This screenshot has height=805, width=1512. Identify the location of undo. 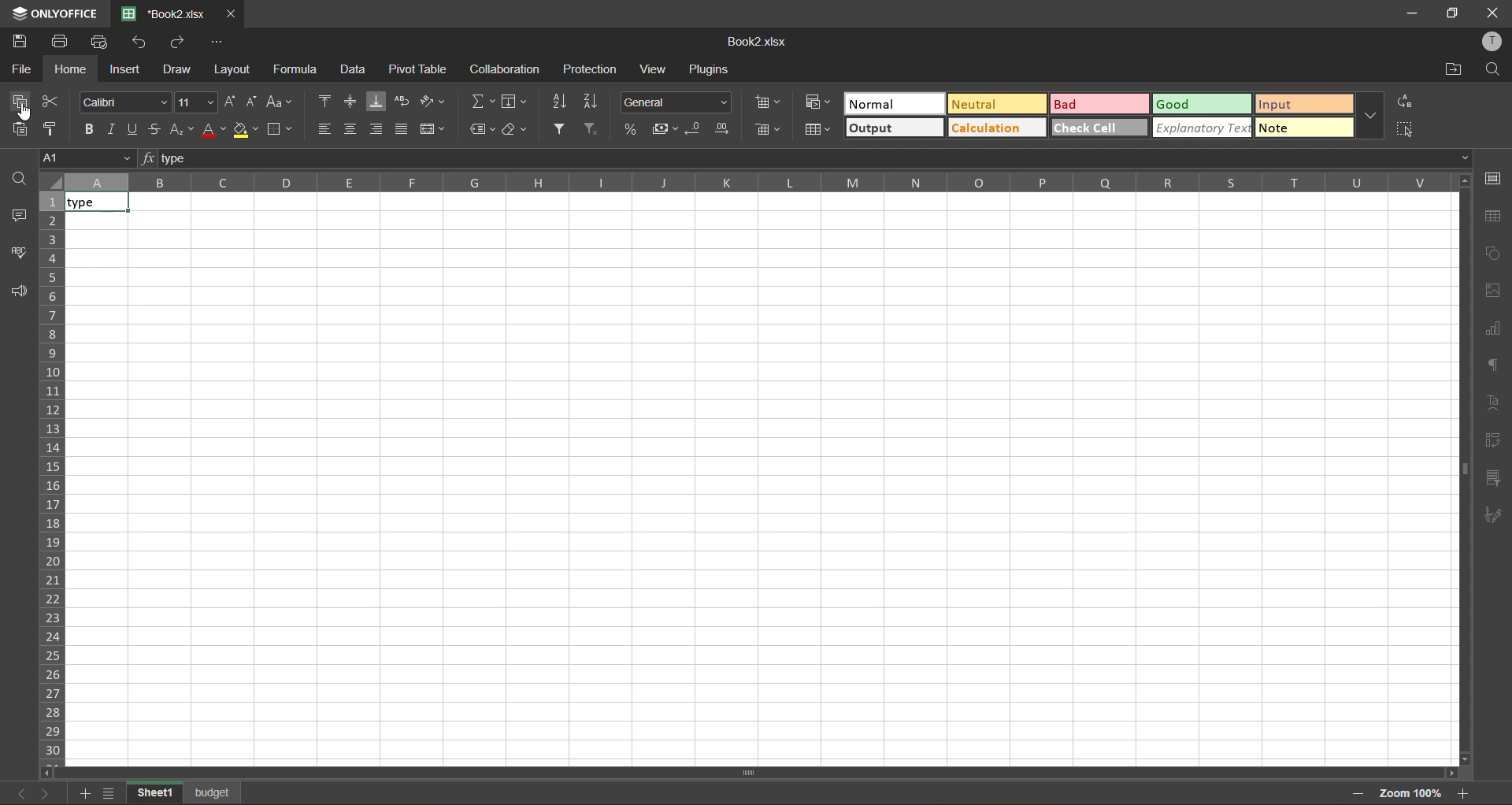
(140, 43).